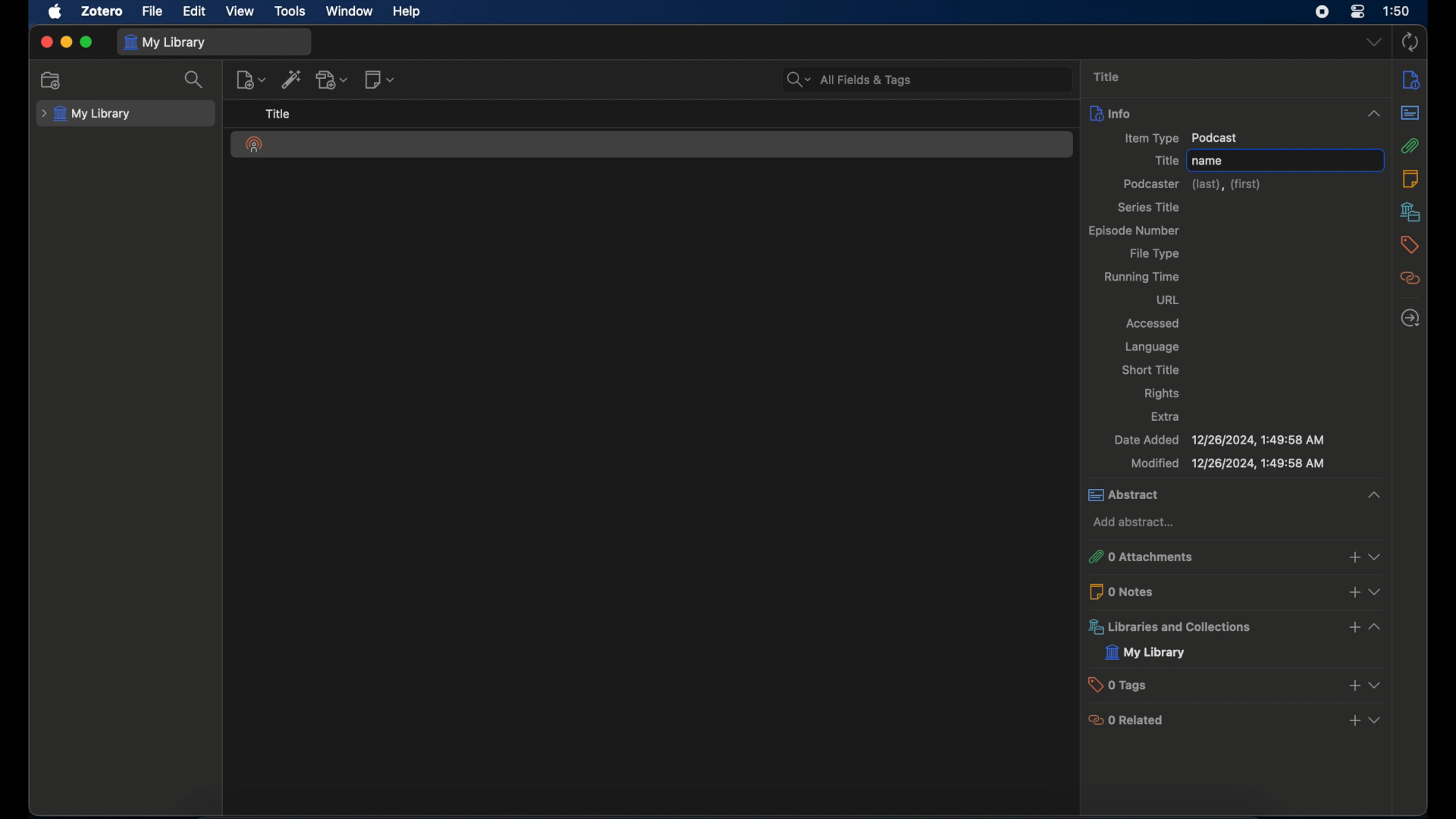 The image size is (1456, 819). I want to click on running time, so click(1143, 278).